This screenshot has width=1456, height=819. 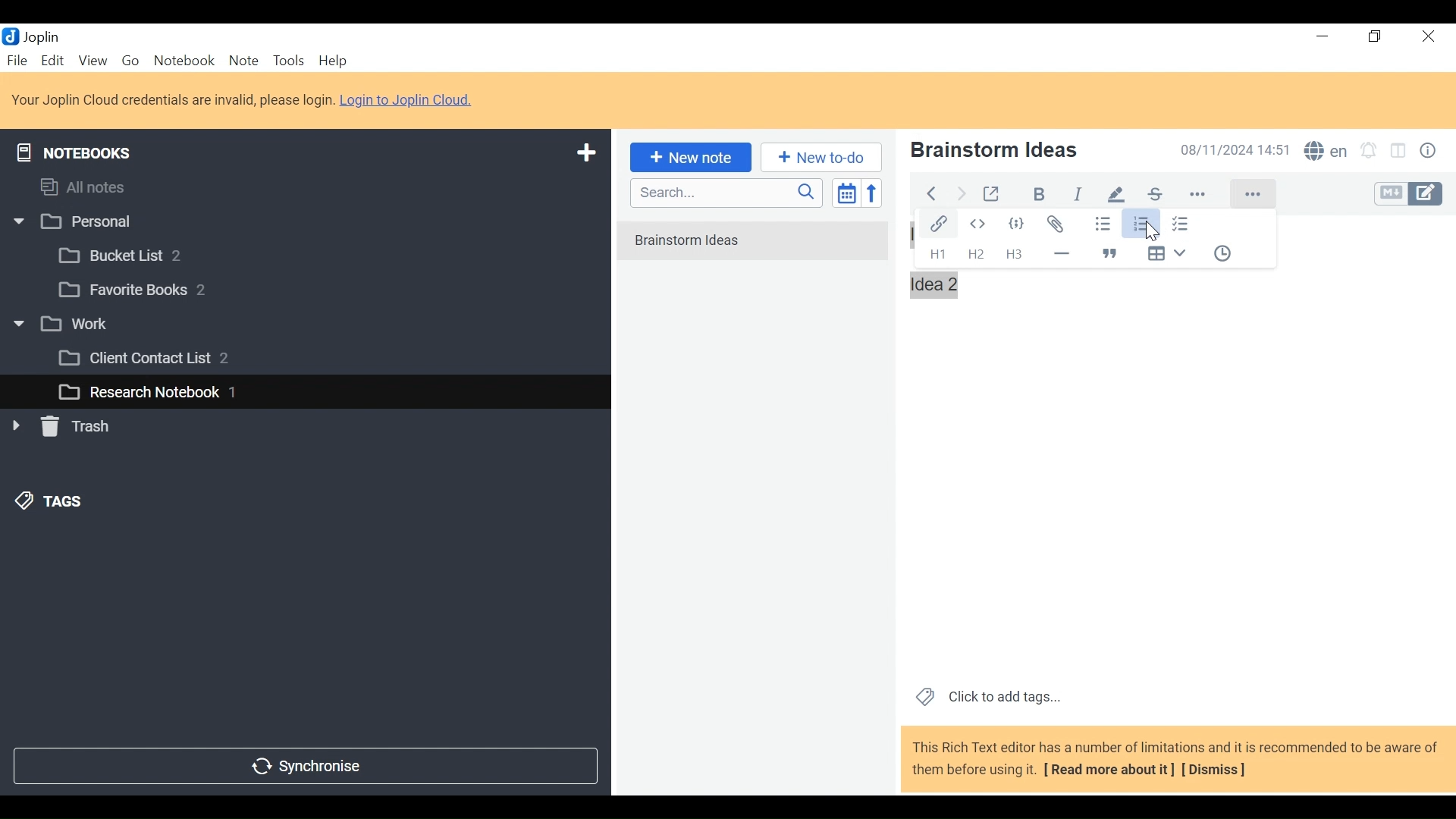 What do you see at coordinates (1399, 152) in the screenshot?
I see `Toggle Editor layout` at bounding box center [1399, 152].